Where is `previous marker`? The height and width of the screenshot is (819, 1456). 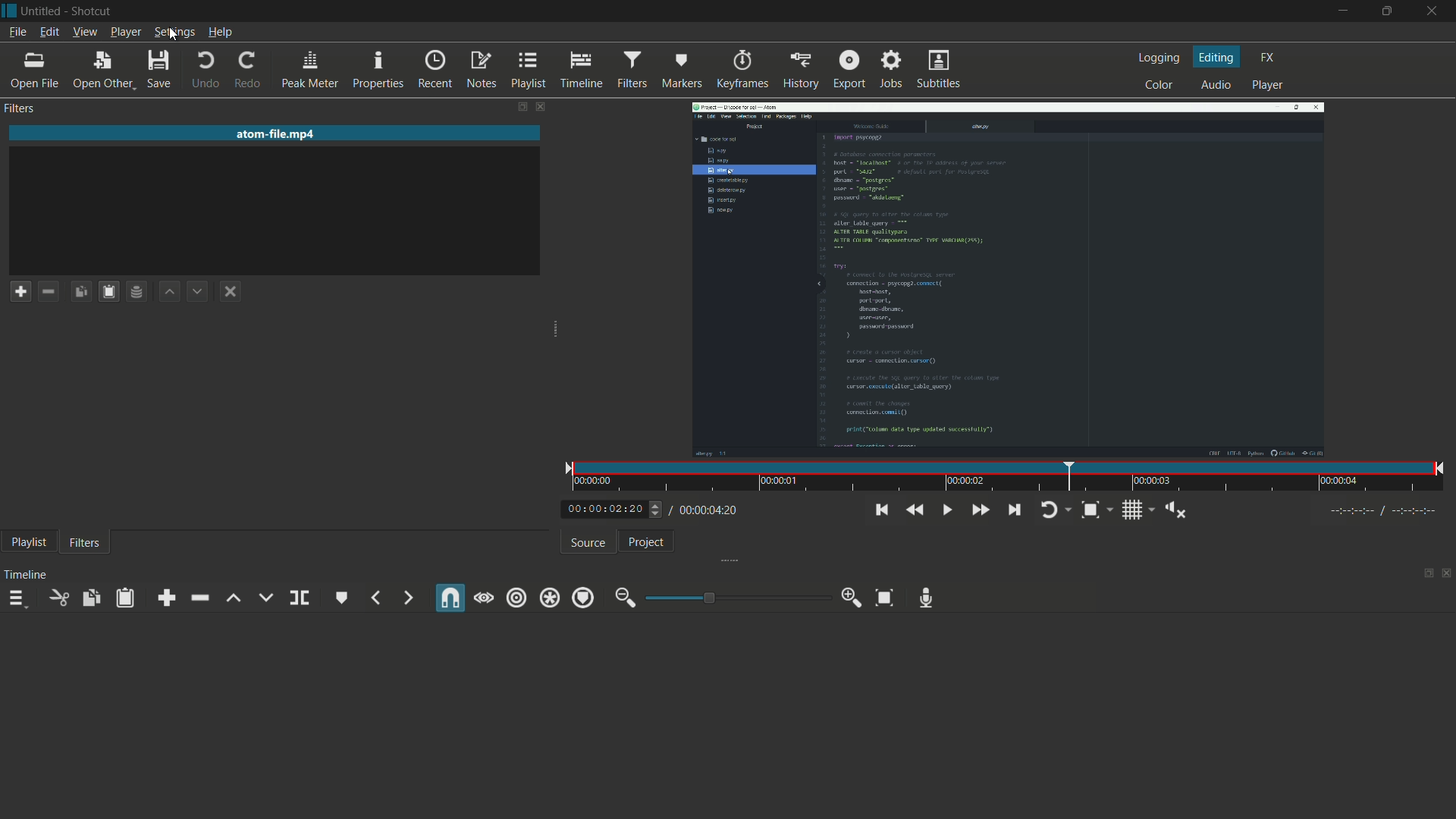
previous marker is located at coordinates (378, 597).